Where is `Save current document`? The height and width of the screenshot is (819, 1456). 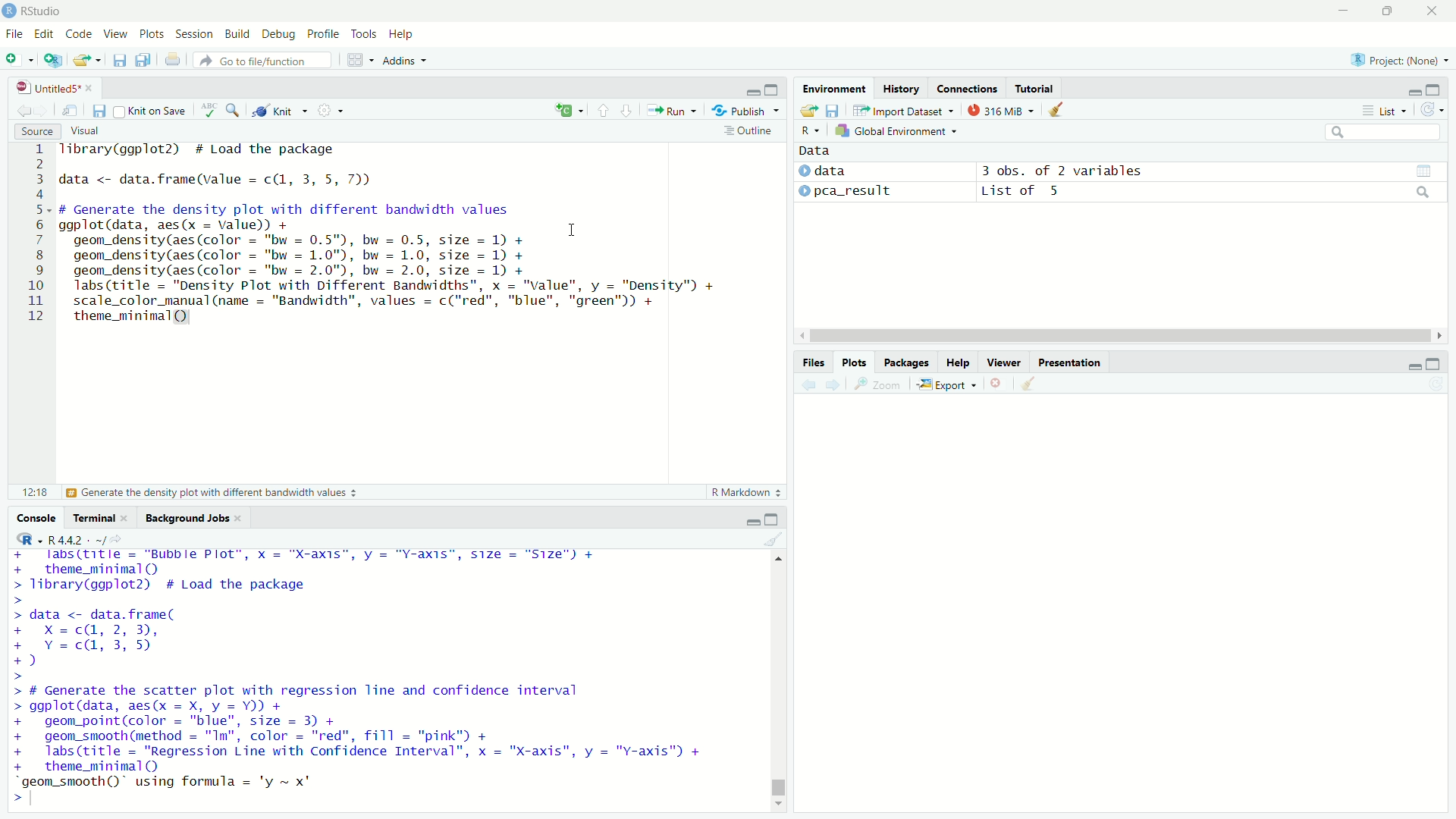
Save current document is located at coordinates (99, 110).